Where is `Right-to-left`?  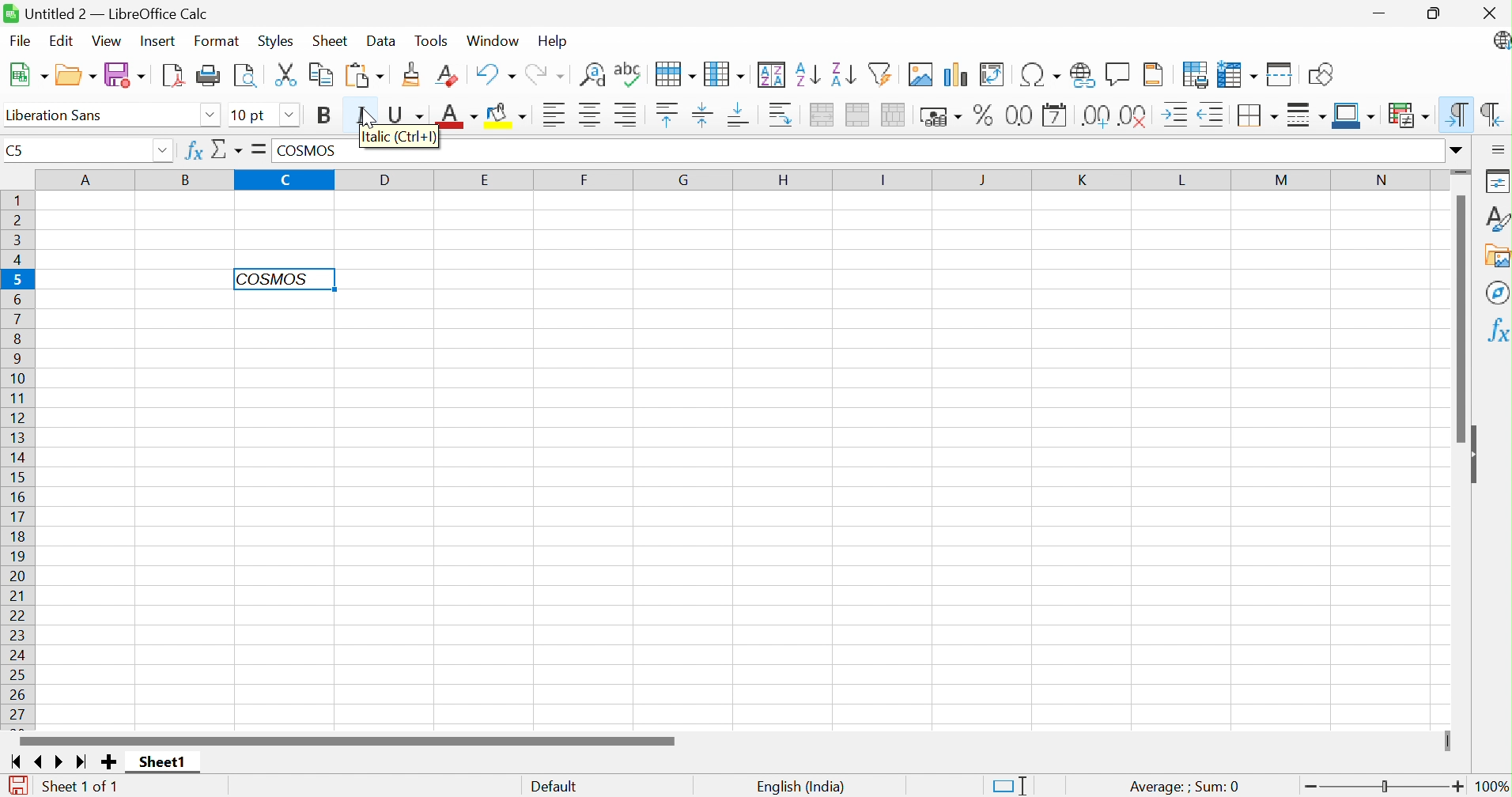
Right-to-left is located at coordinates (1494, 114).